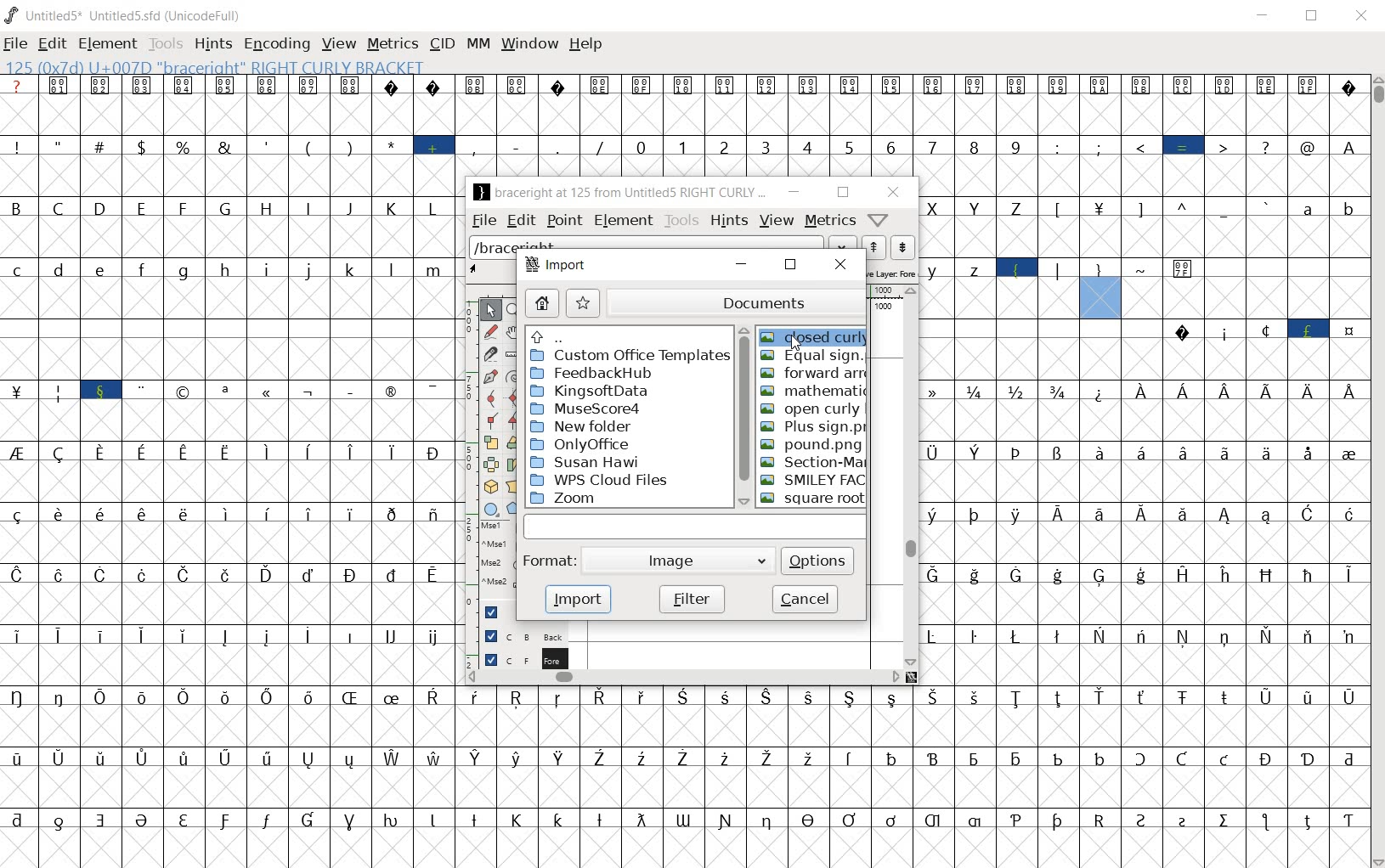 The image size is (1385, 868). What do you see at coordinates (522, 221) in the screenshot?
I see `edit` at bounding box center [522, 221].